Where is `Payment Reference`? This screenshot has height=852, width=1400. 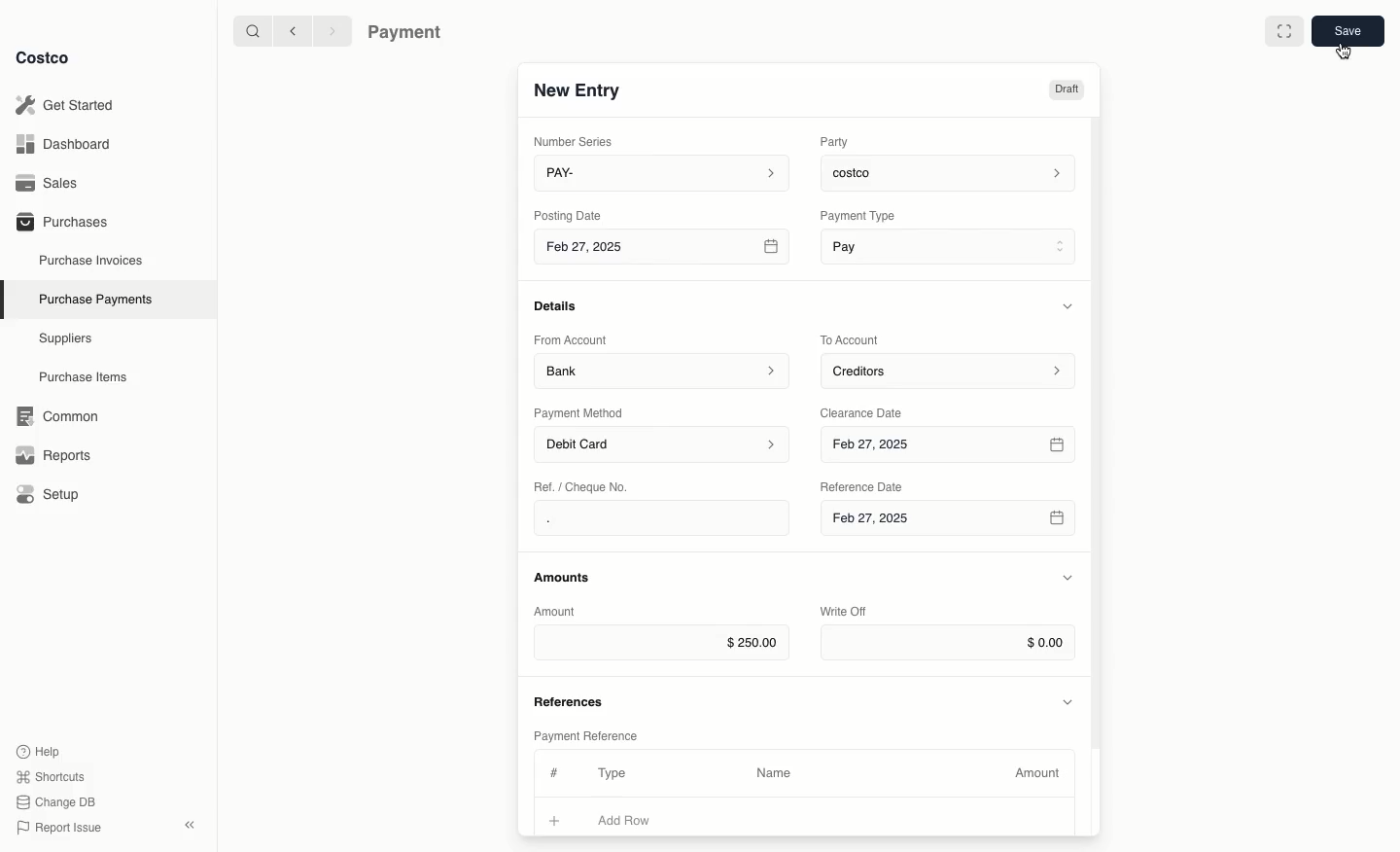 Payment Reference is located at coordinates (584, 733).